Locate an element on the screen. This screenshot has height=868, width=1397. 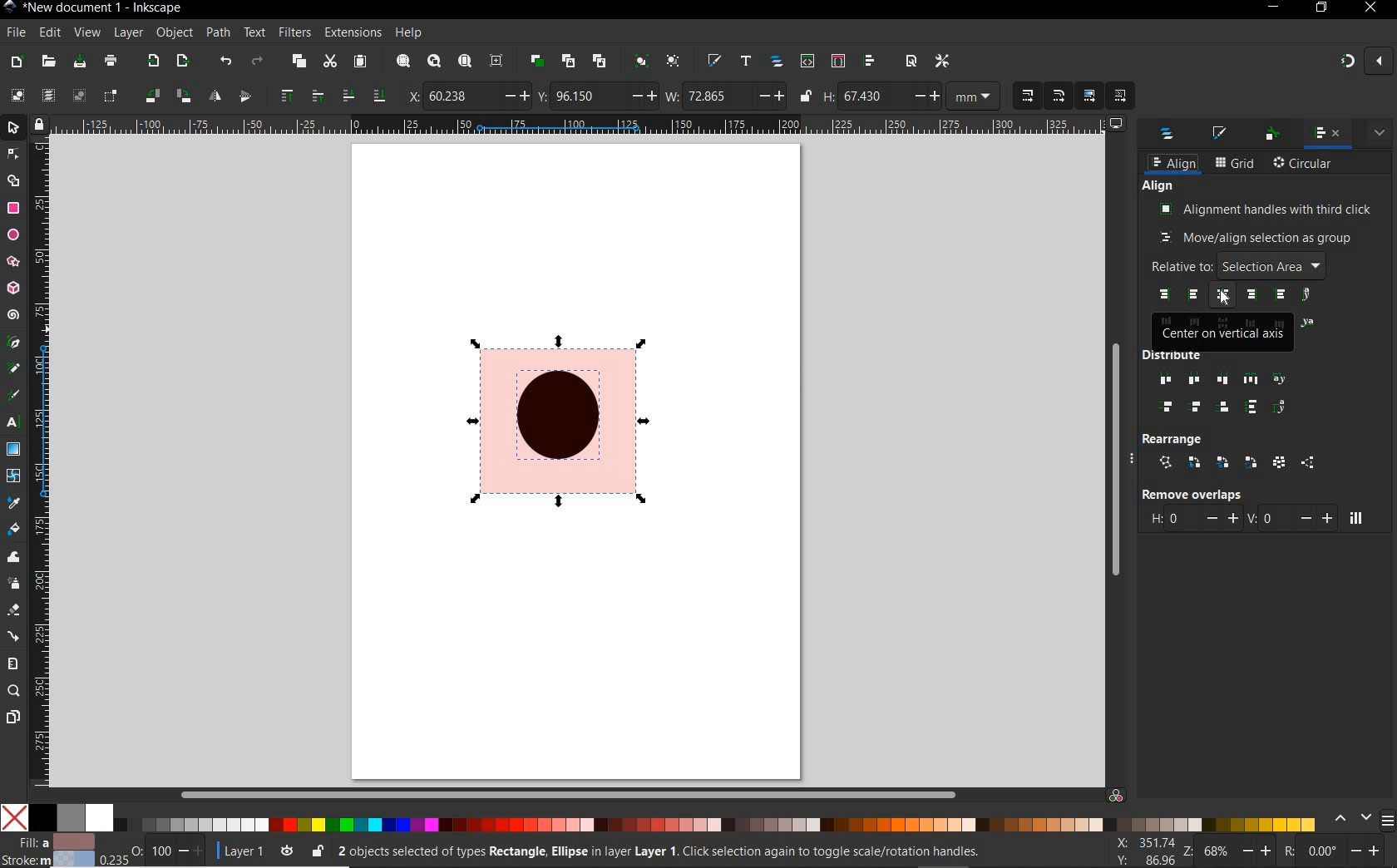
zoom selection is located at coordinates (404, 61).